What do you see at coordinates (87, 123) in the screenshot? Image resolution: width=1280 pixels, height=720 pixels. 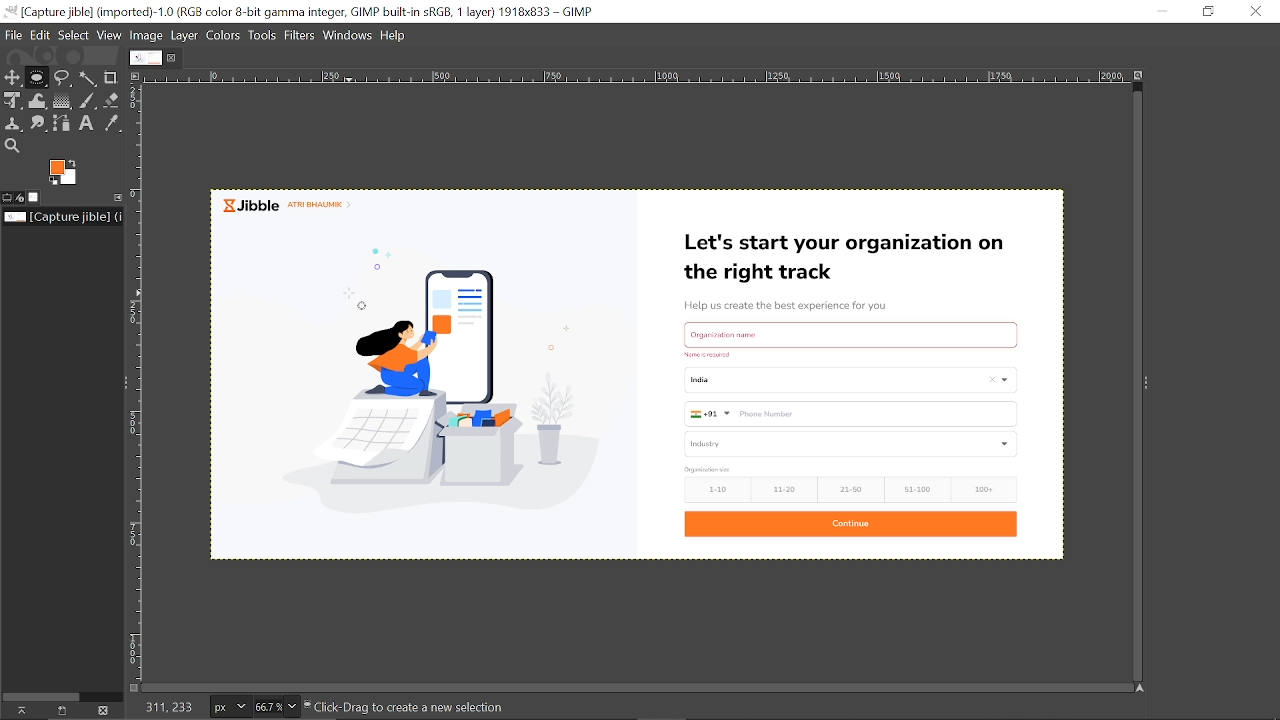 I see `Text tool` at bounding box center [87, 123].